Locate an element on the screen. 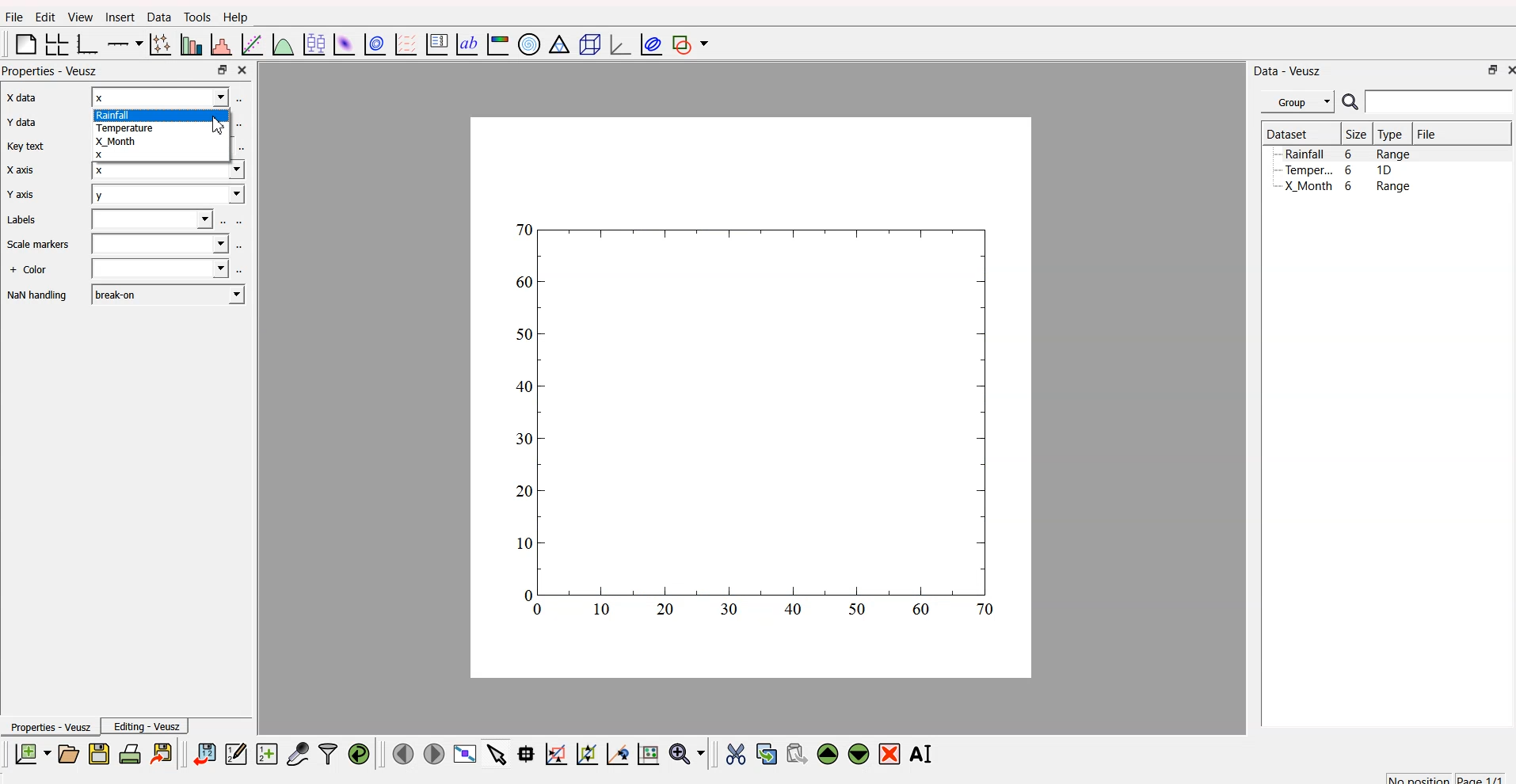 The height and width of the screenshot is (784, 1516). Data - Veusz is located at coordinates (1289, 70).